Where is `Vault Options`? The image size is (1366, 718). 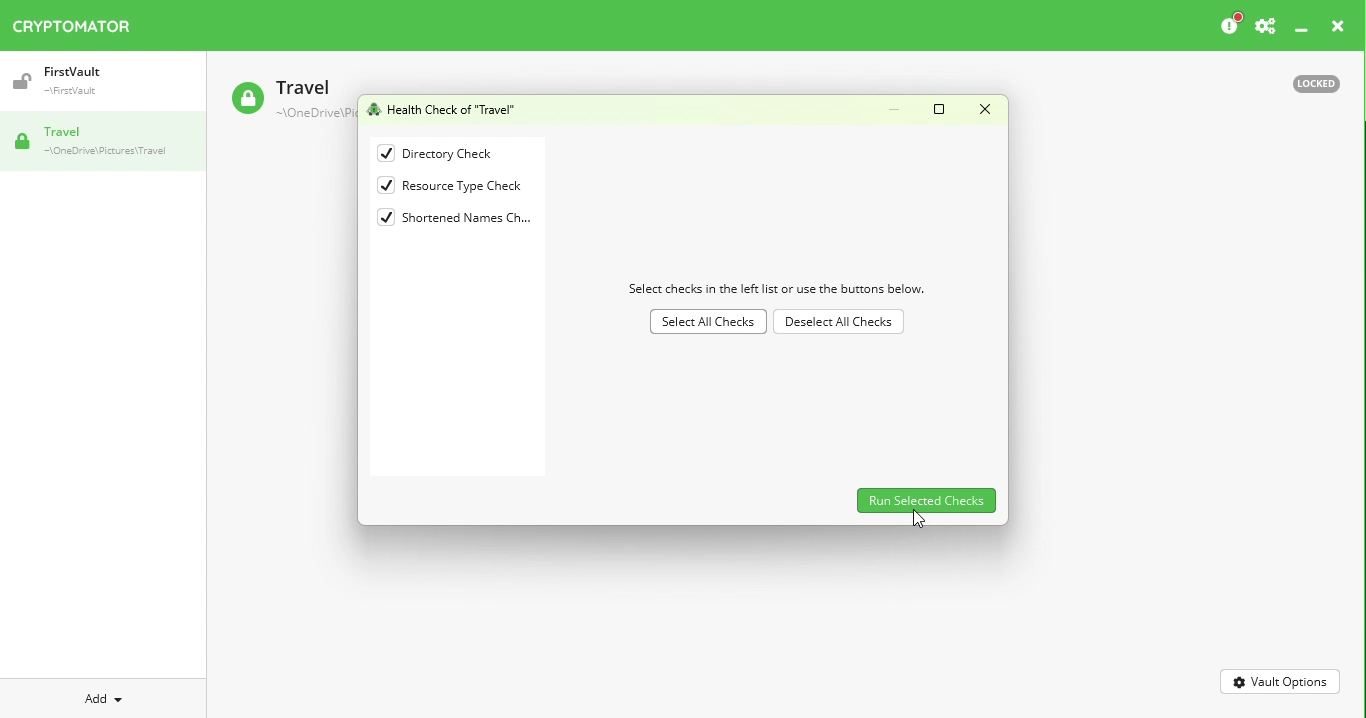
Vault Options is located at coordinates (1276, 681).